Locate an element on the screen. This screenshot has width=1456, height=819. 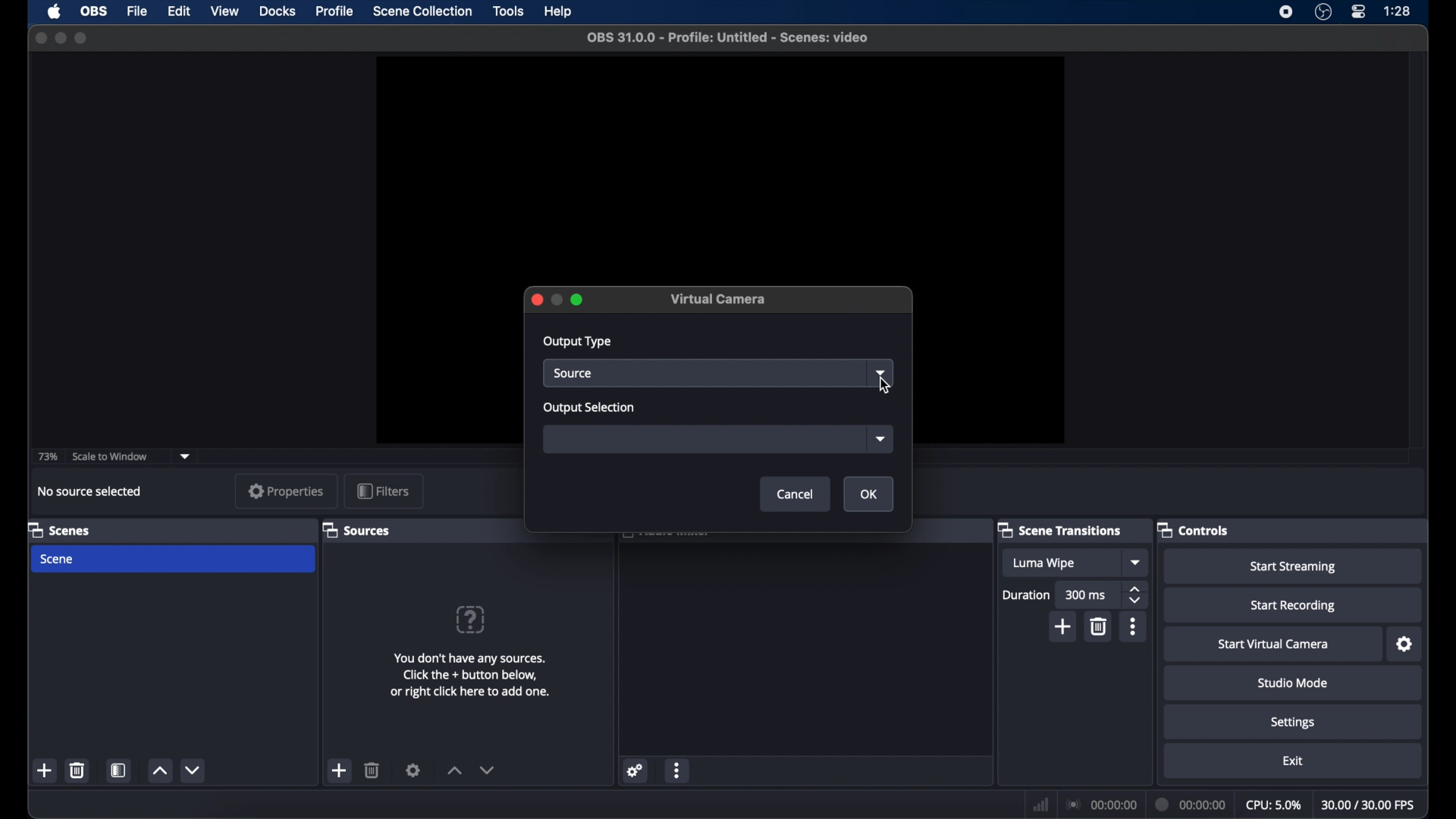
minimize is located at coordinates (556, 300).